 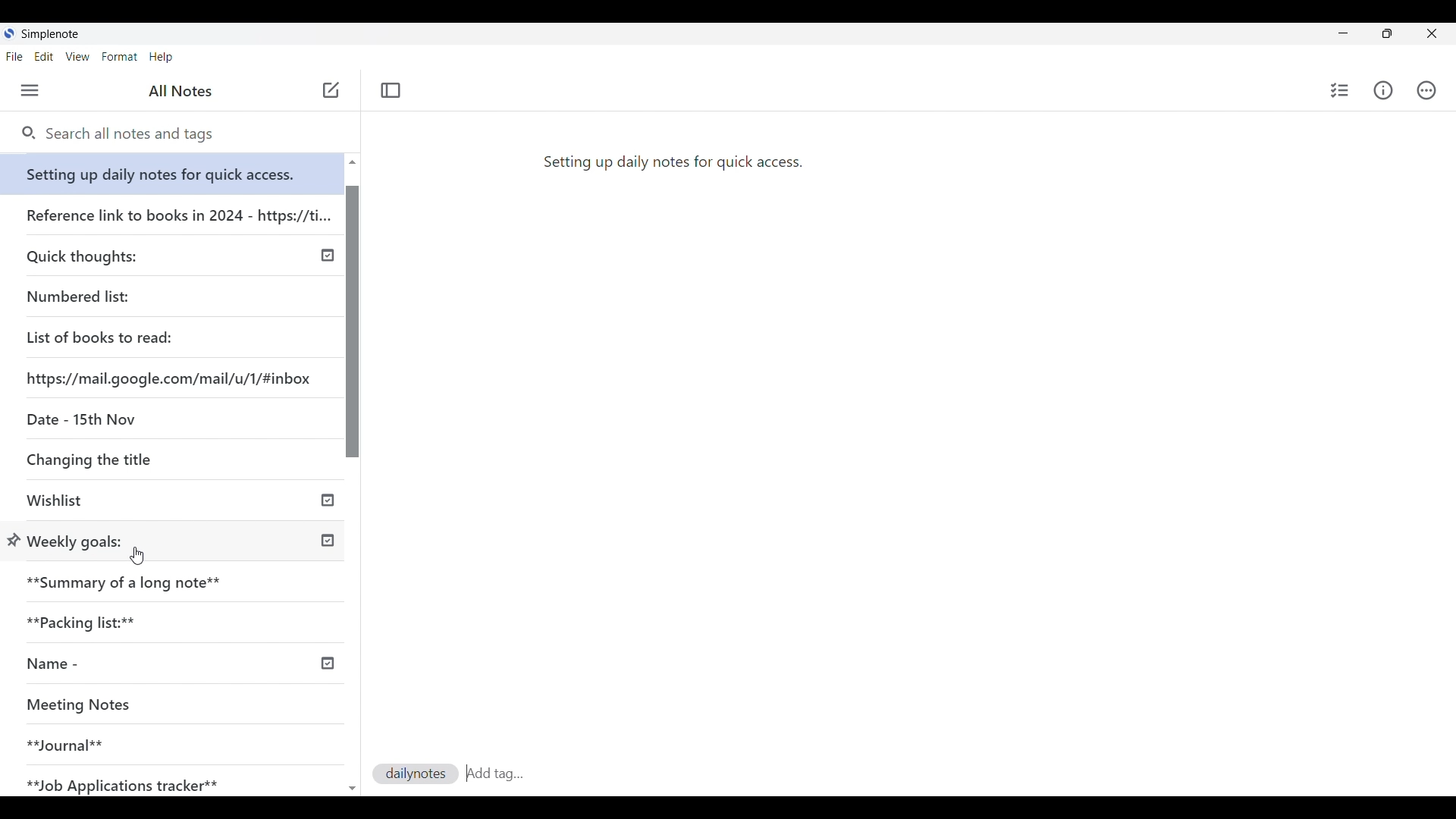 I want to click on Journal, so click(x=151, y=739).